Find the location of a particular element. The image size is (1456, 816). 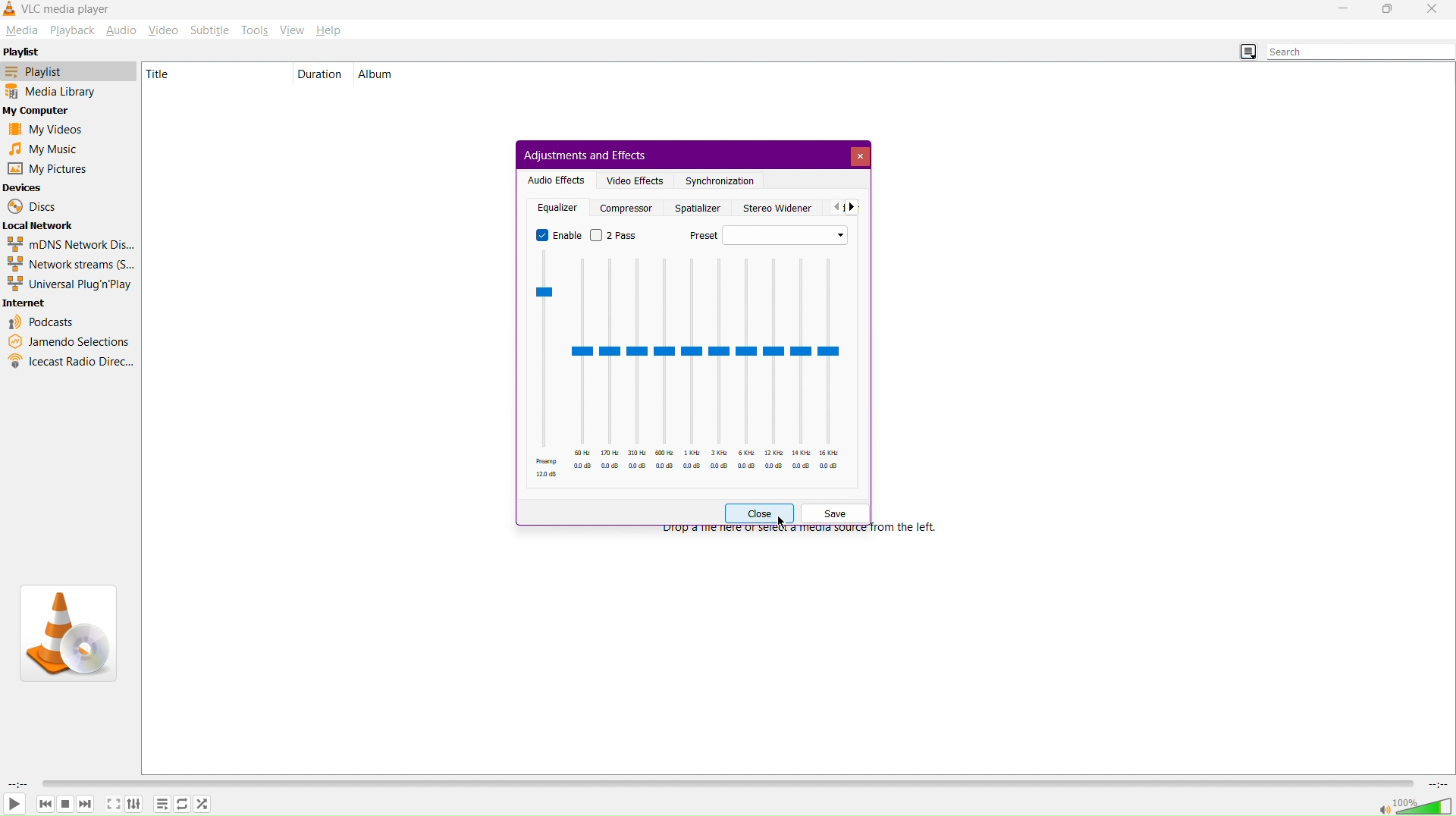

Close is located at coordinates (860, 157).